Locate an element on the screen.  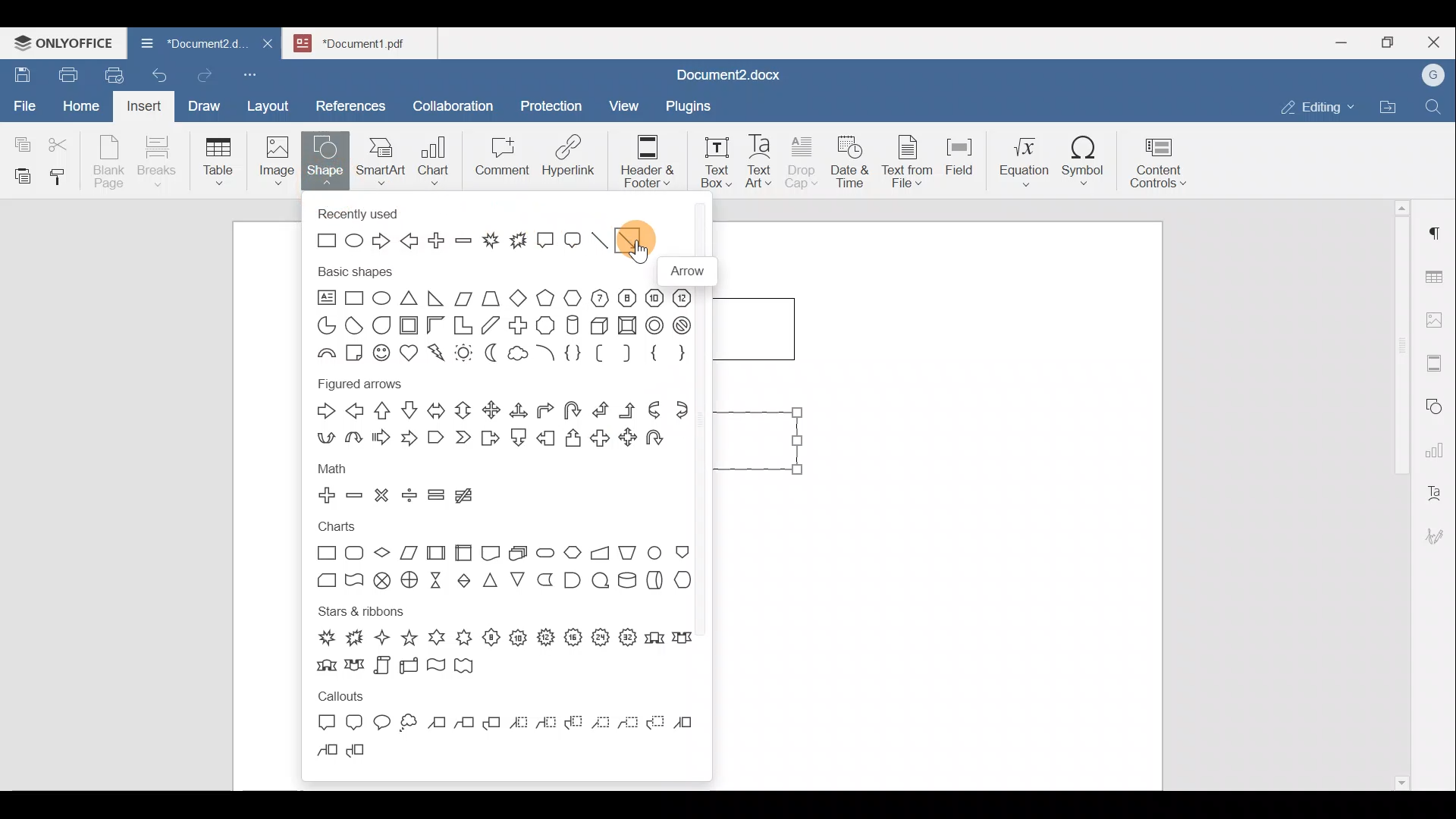
Find is located at coordinates (1435, 108).